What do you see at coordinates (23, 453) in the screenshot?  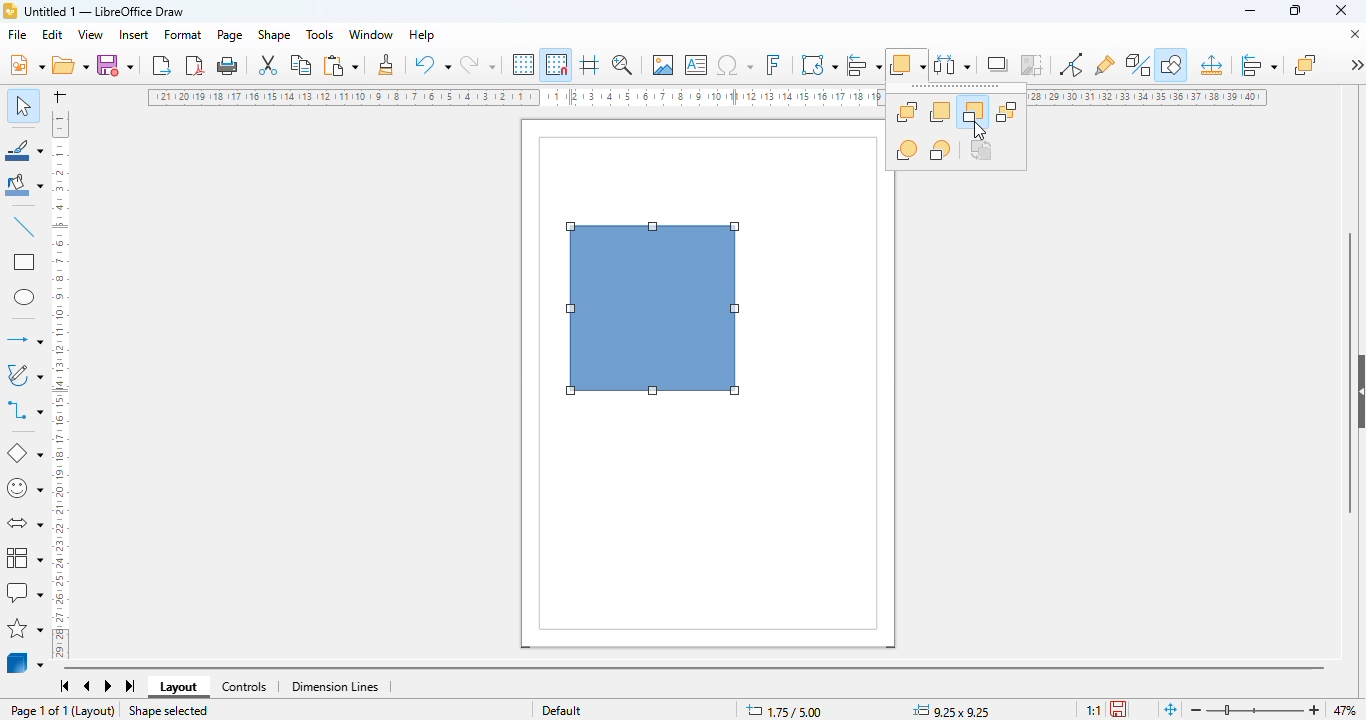 I see `basic shapes` at bounding box center [23, 453].